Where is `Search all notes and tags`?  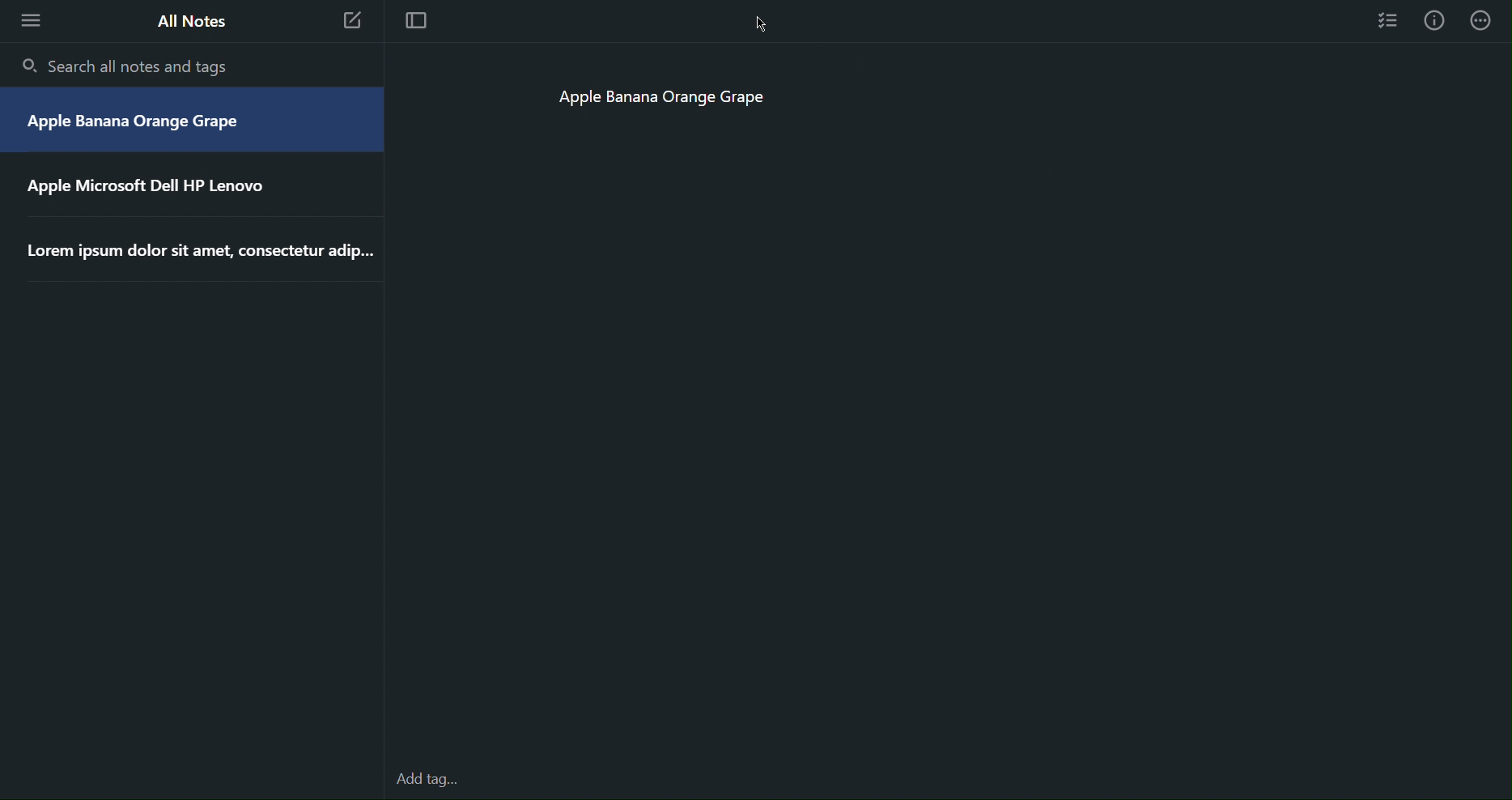
Search all notes and tags is located at coordinates (130, 66).